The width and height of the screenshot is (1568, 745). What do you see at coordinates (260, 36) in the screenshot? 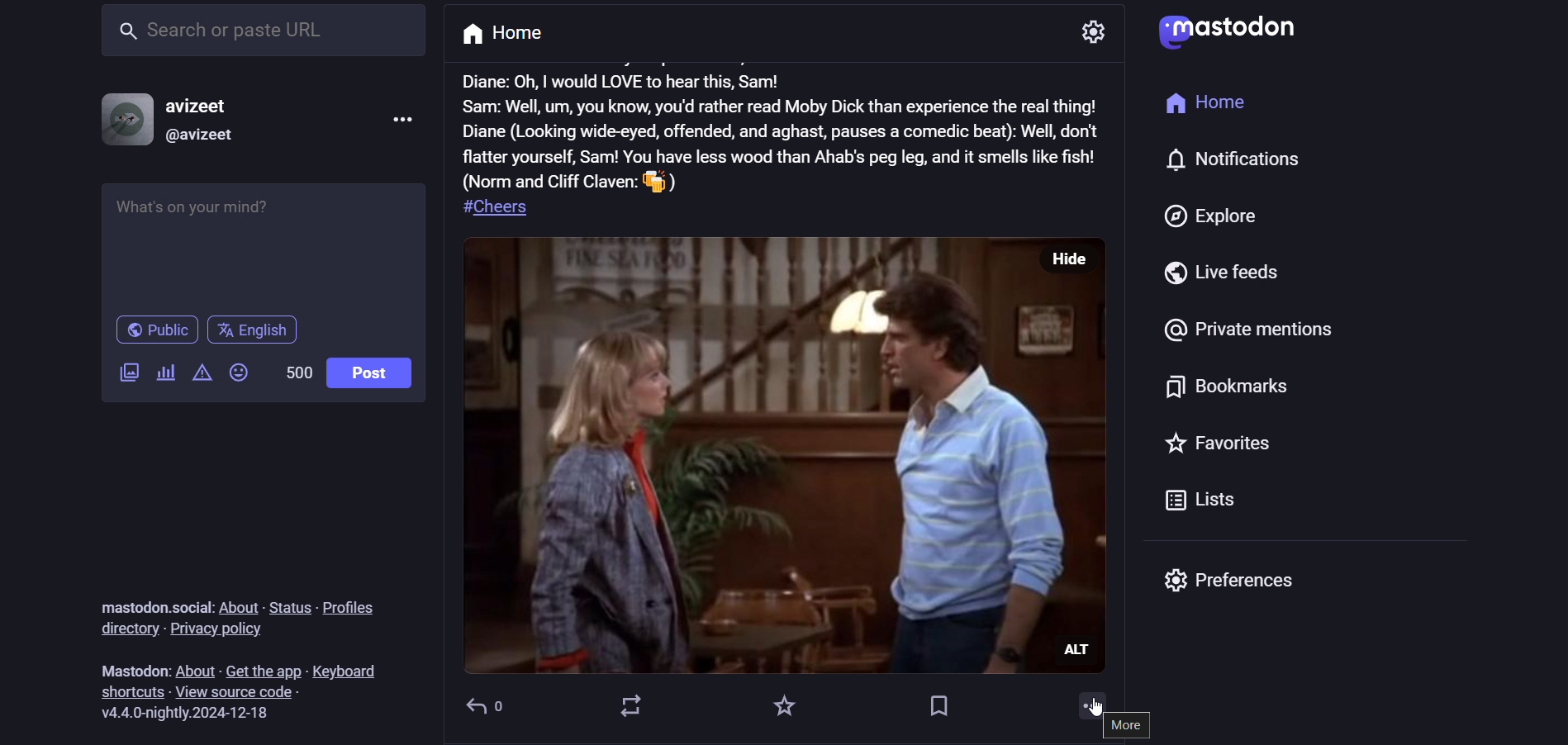
I see `search` at bounding box center [260, 36].